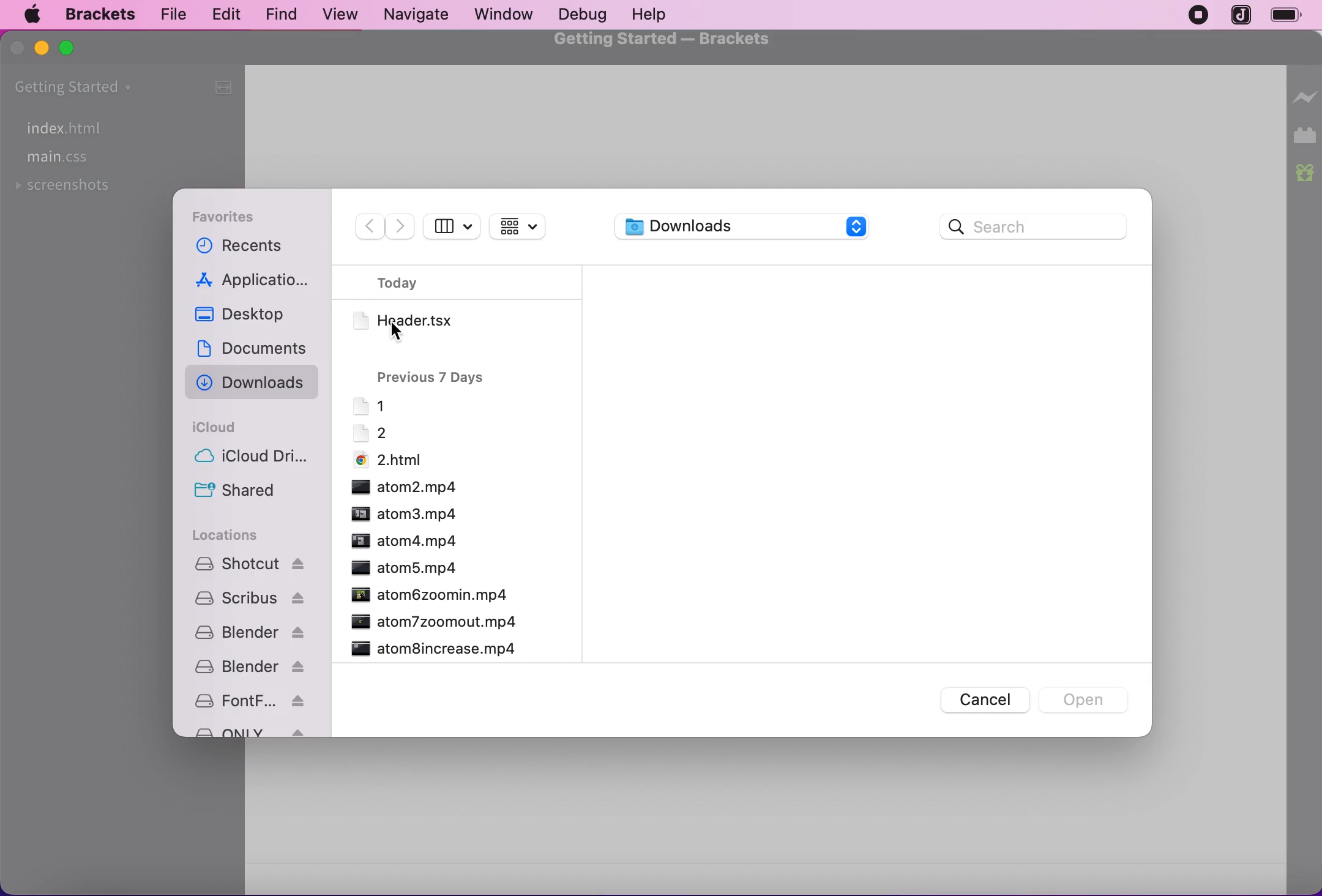 Image resolution: width=1322 pixels, height=896 pixels. I want to click on atom4.mp4, so click(403, 540).